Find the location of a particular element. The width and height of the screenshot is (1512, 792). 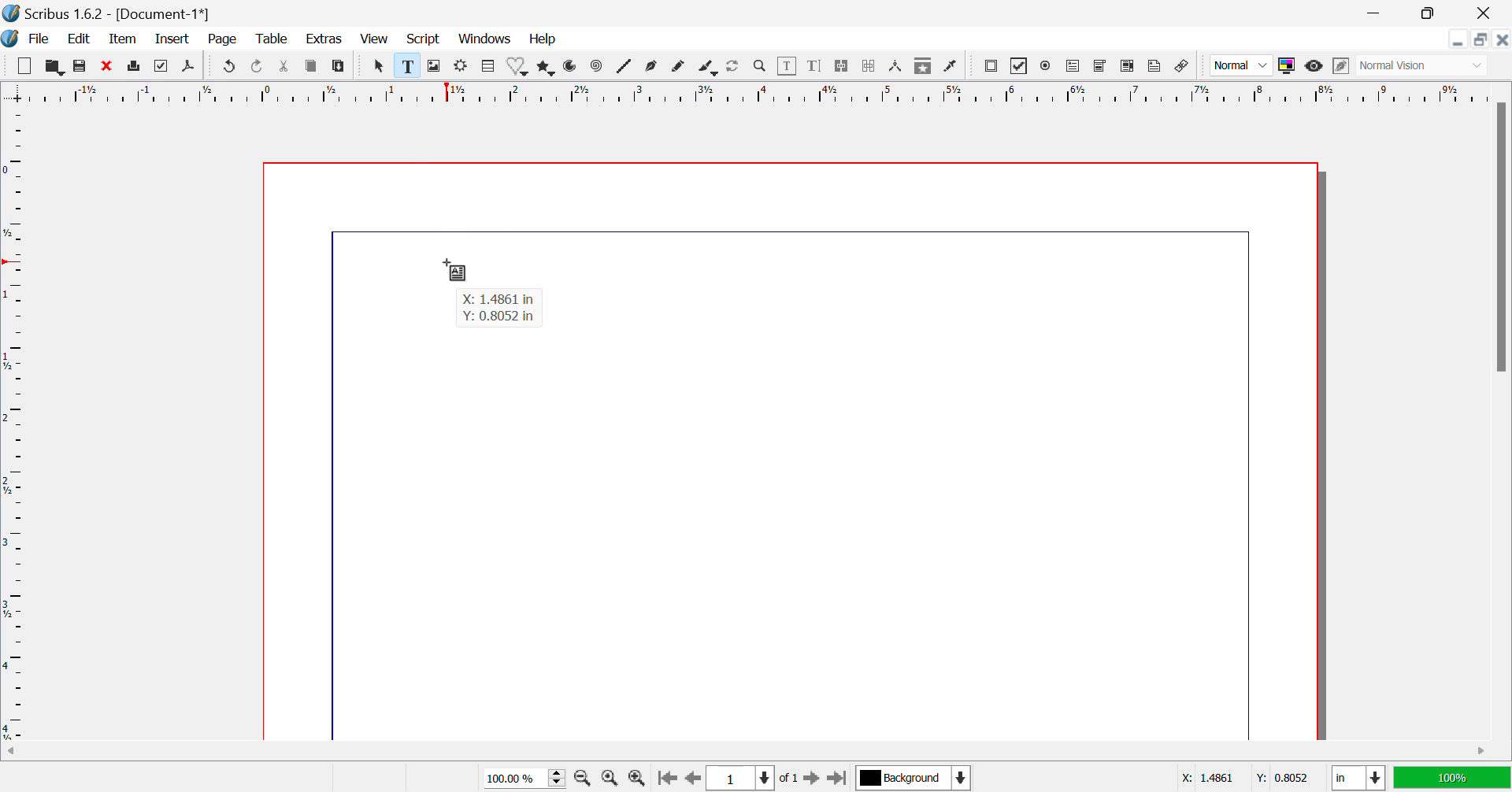

Zoom In is located at coordinates (636, 779).